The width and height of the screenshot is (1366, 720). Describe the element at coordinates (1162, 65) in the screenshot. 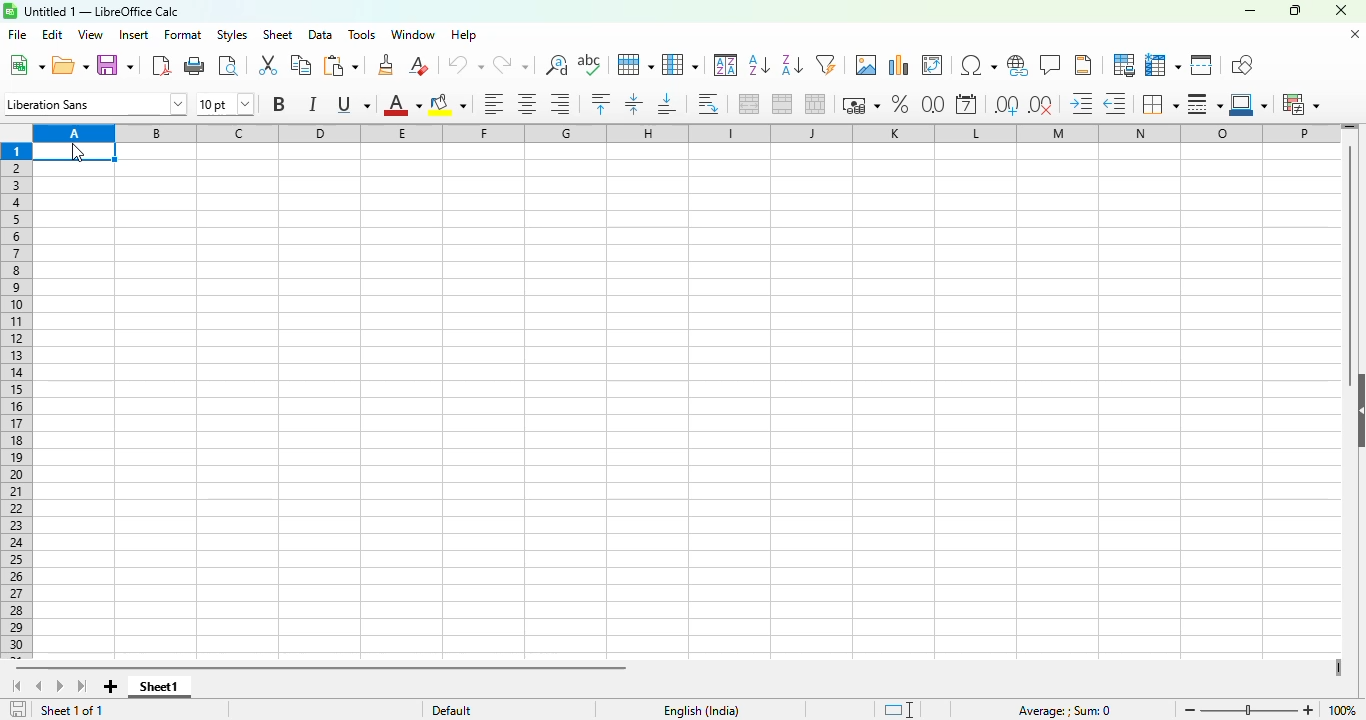

I see `freeze rows and columns` at that location.